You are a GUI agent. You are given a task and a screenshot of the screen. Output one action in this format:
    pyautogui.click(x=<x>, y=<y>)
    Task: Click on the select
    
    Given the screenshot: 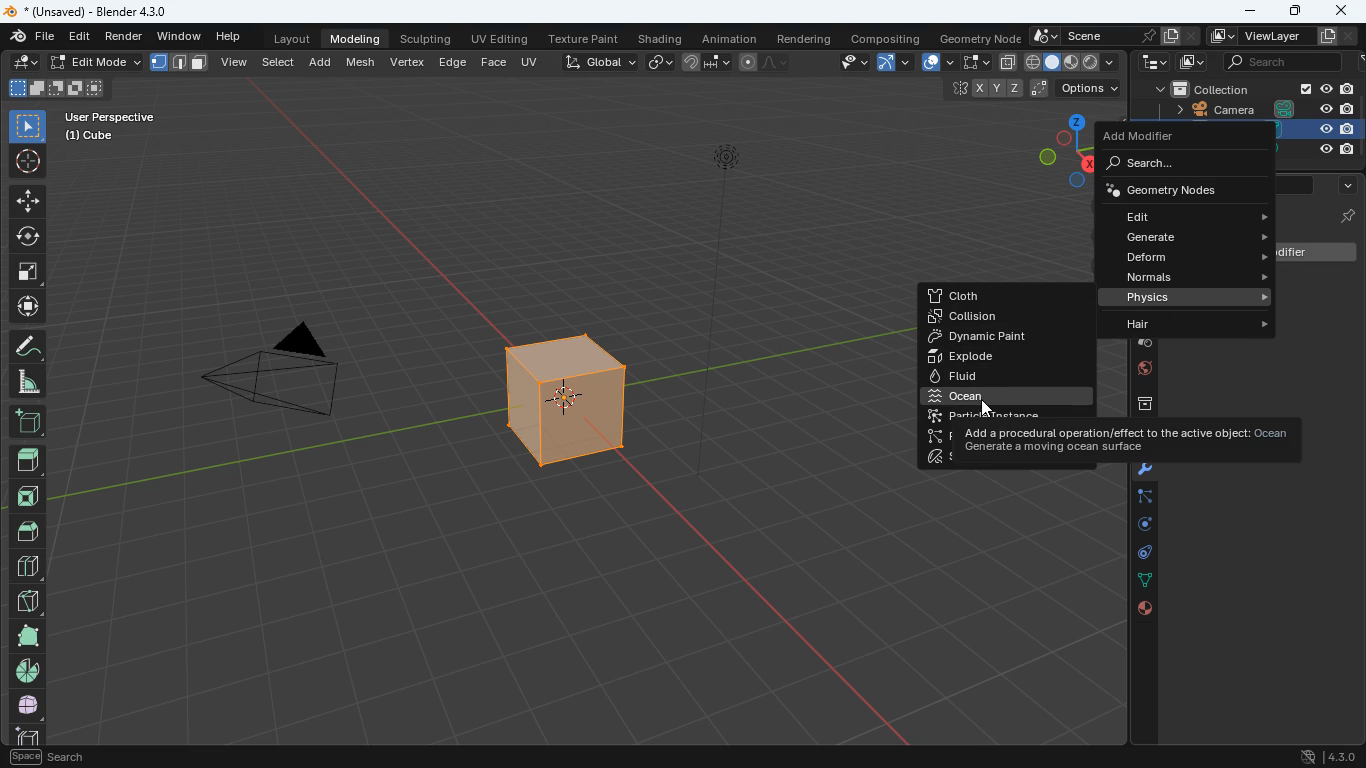 What is the action you would take?
    pyautogui.click(x=282, y=61)
    